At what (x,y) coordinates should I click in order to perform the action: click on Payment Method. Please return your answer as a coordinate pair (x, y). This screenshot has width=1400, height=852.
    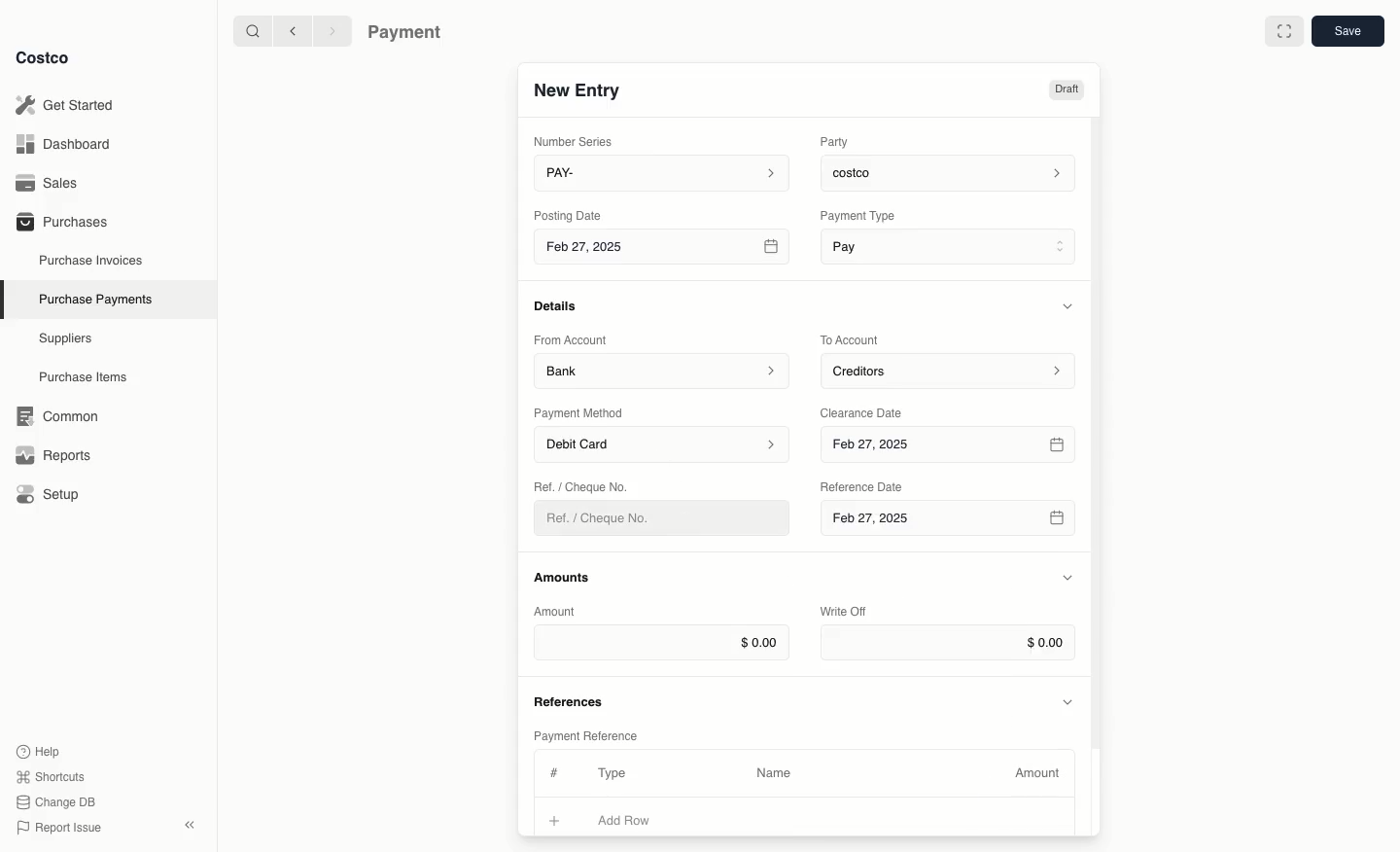
    Looking at the image, I should click on (580, 412).